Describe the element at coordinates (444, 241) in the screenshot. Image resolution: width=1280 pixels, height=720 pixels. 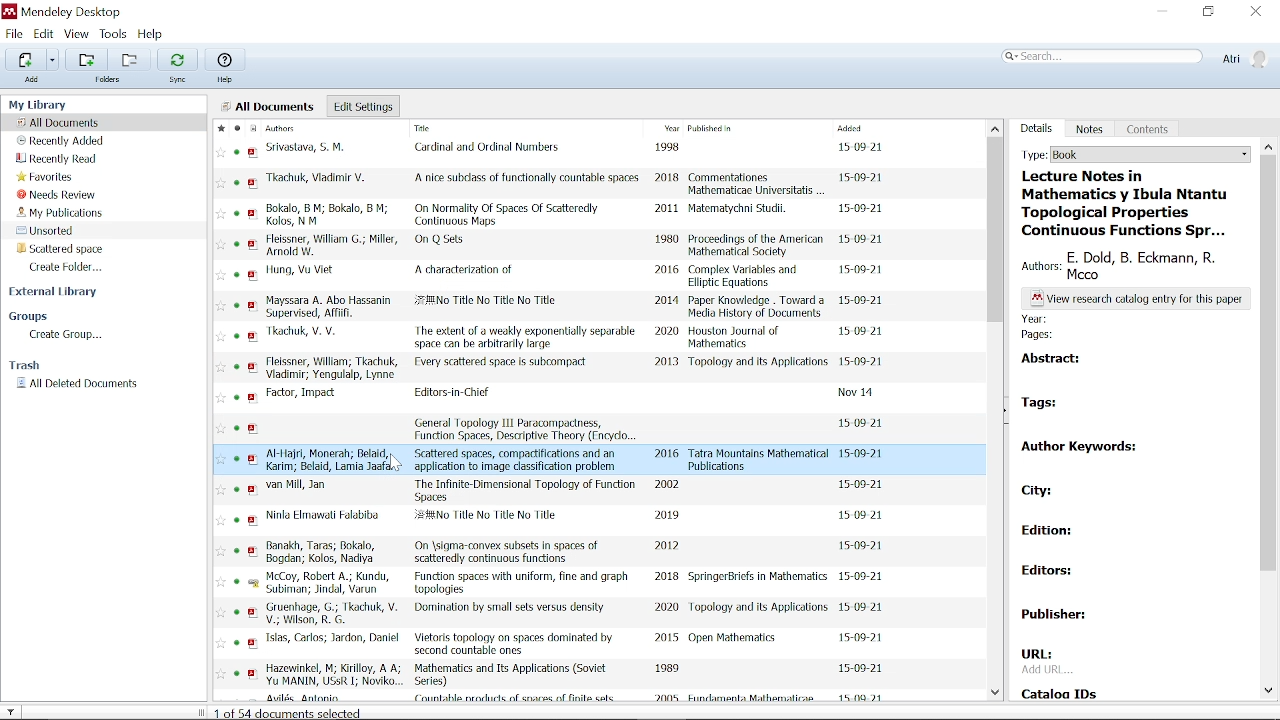
I see `title` at that location.